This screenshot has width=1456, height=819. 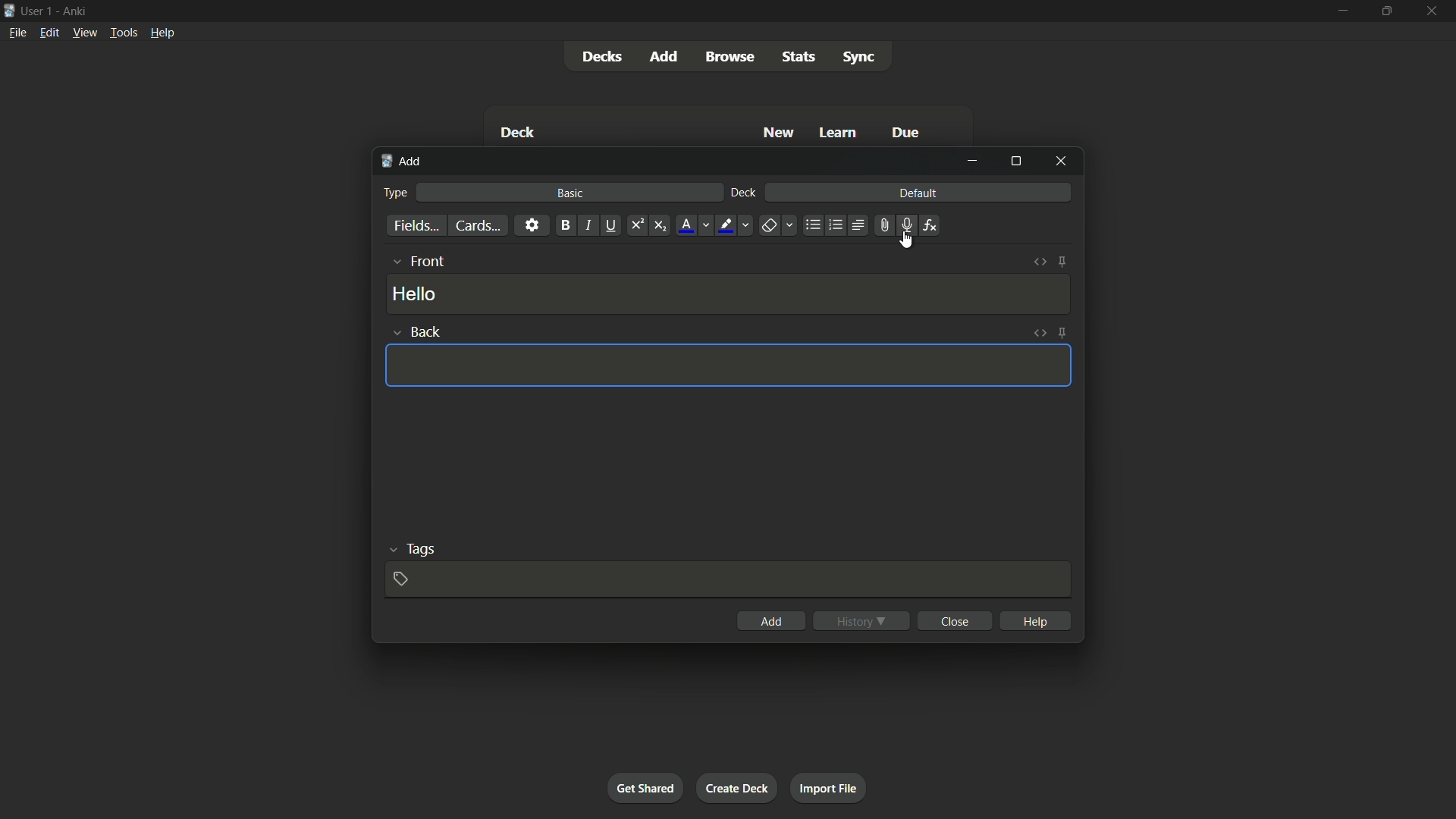 I want to click on create deck, so click(x=739, y=787).